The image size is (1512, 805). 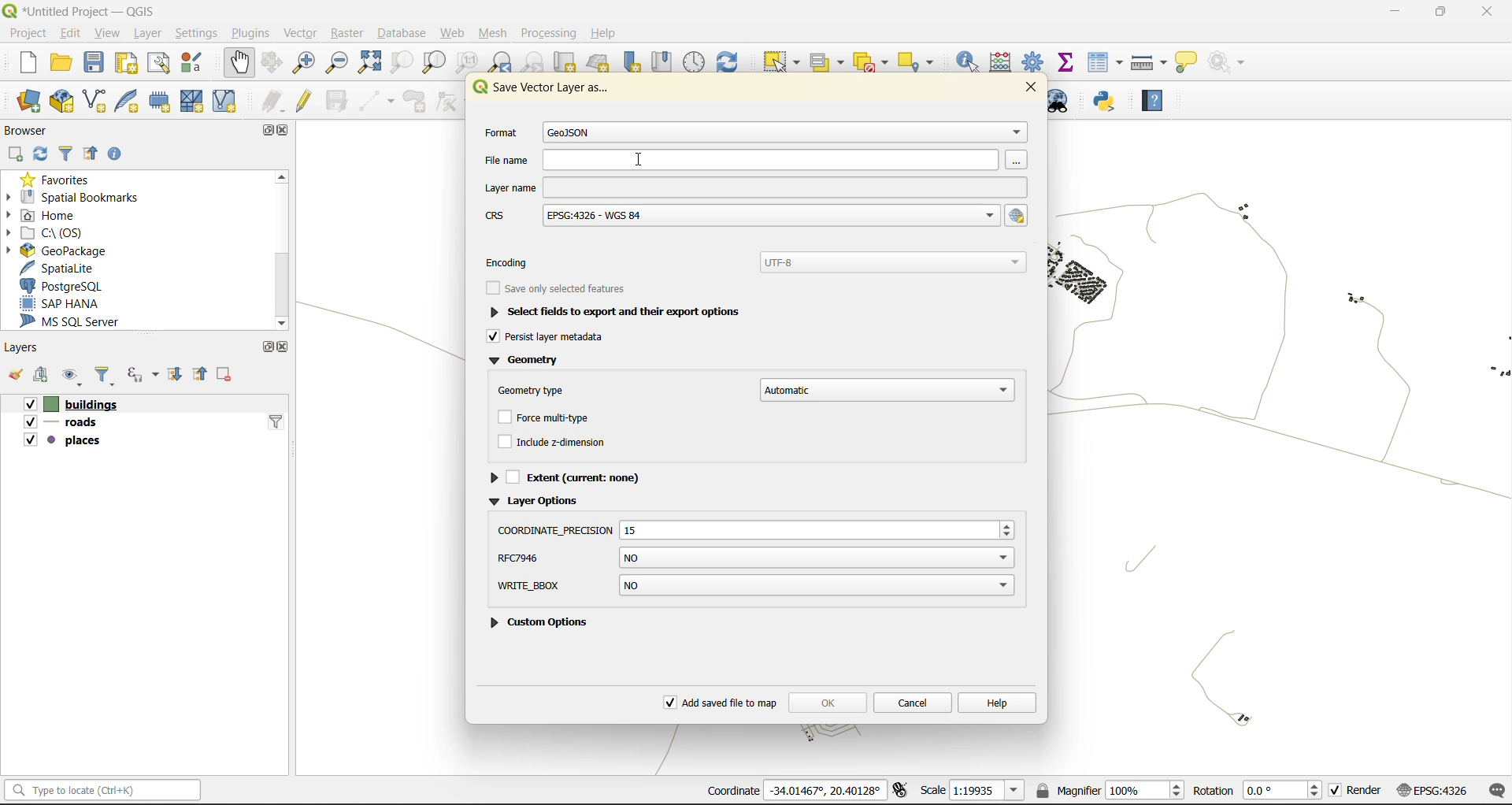 What do you see at coordinates (1438, 14) in the screenshot?
I see `maximize` at bounding box center [1438, 14].